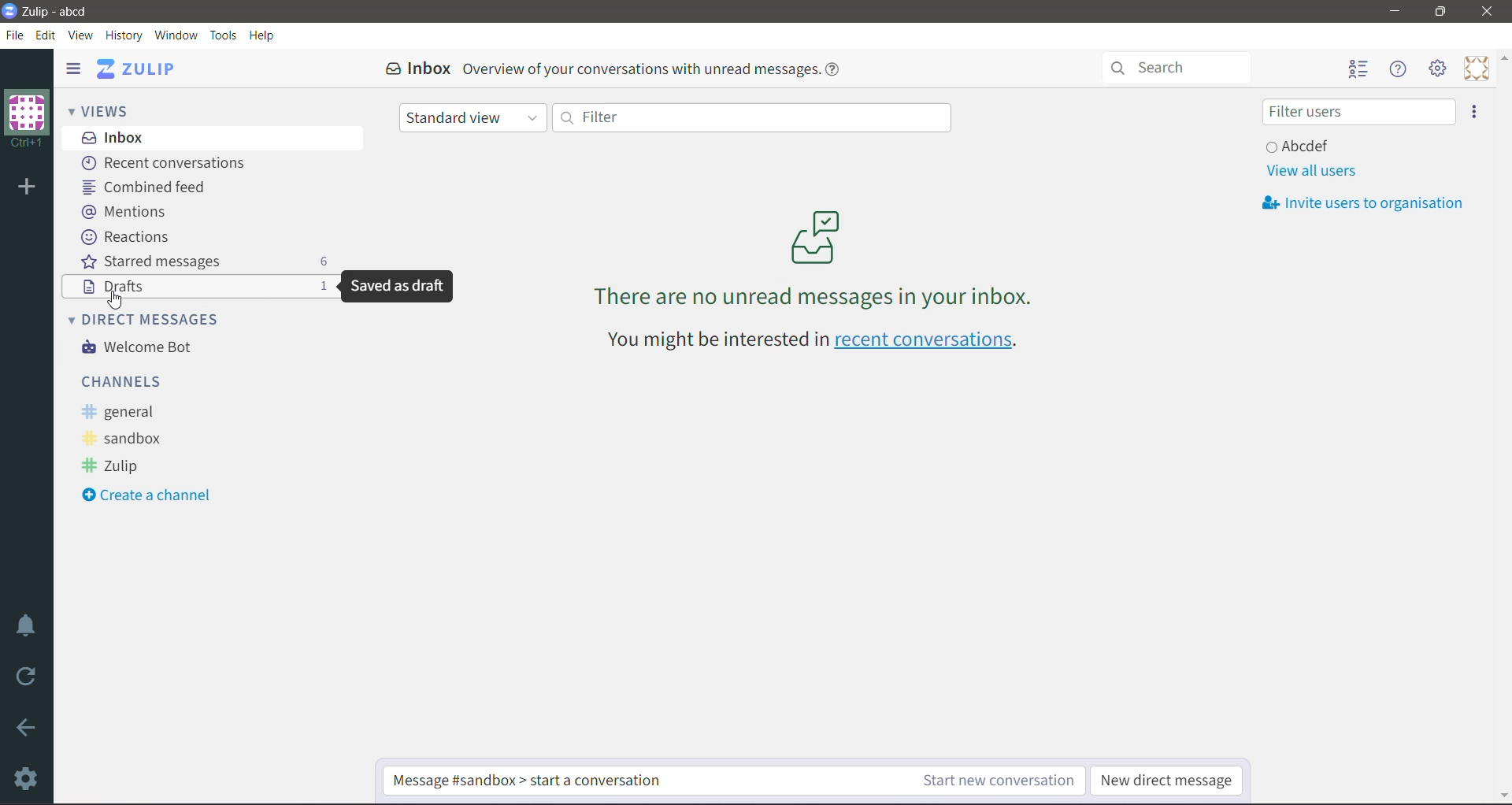  I want to click on Edit, so click(46, 35).